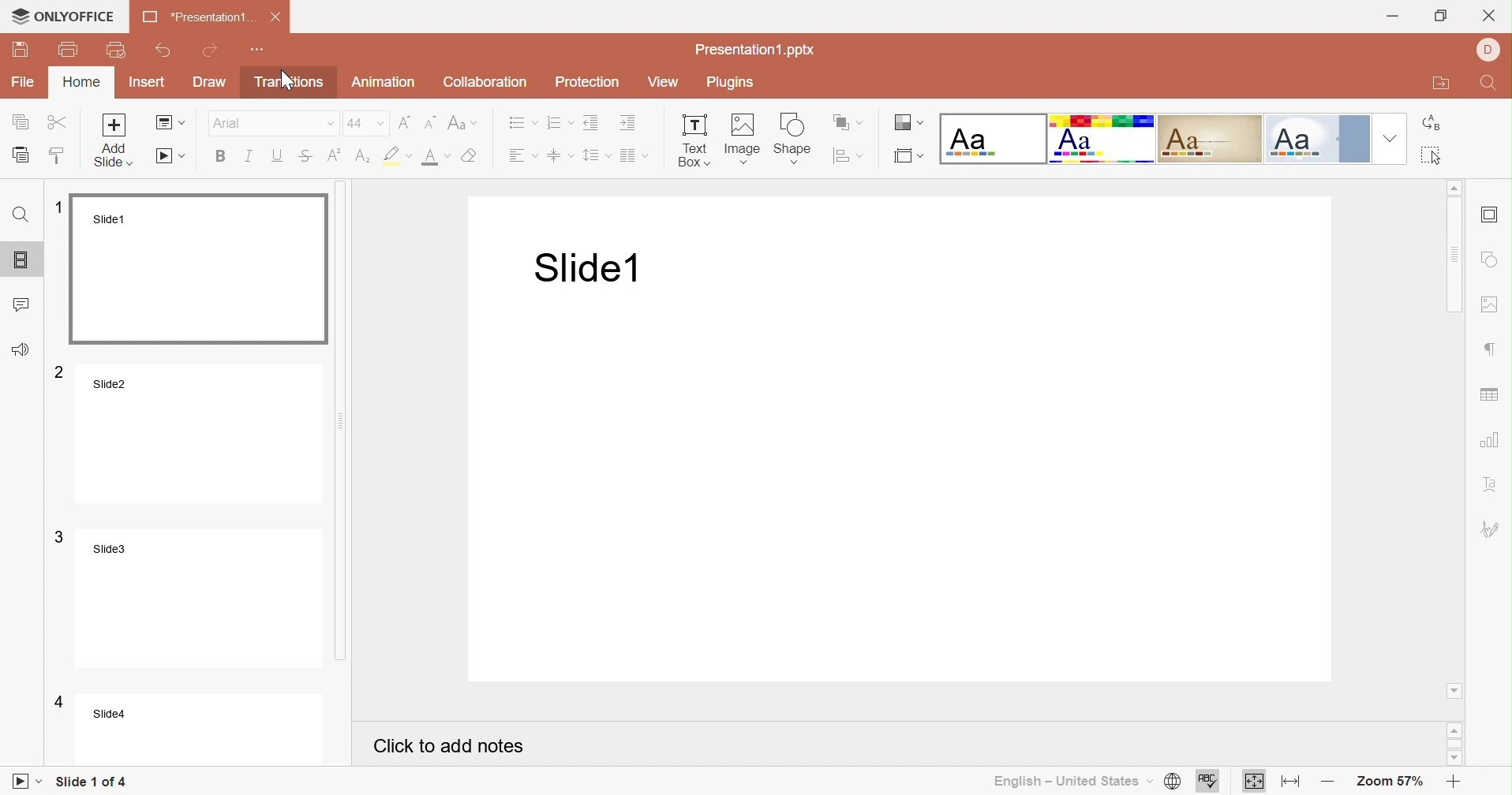 Image resolution: width=1512 pixels, height=795 pixels. Describe the element at coordinates (1454, 733) in the screenshot. I see `Scroll up` at that location.